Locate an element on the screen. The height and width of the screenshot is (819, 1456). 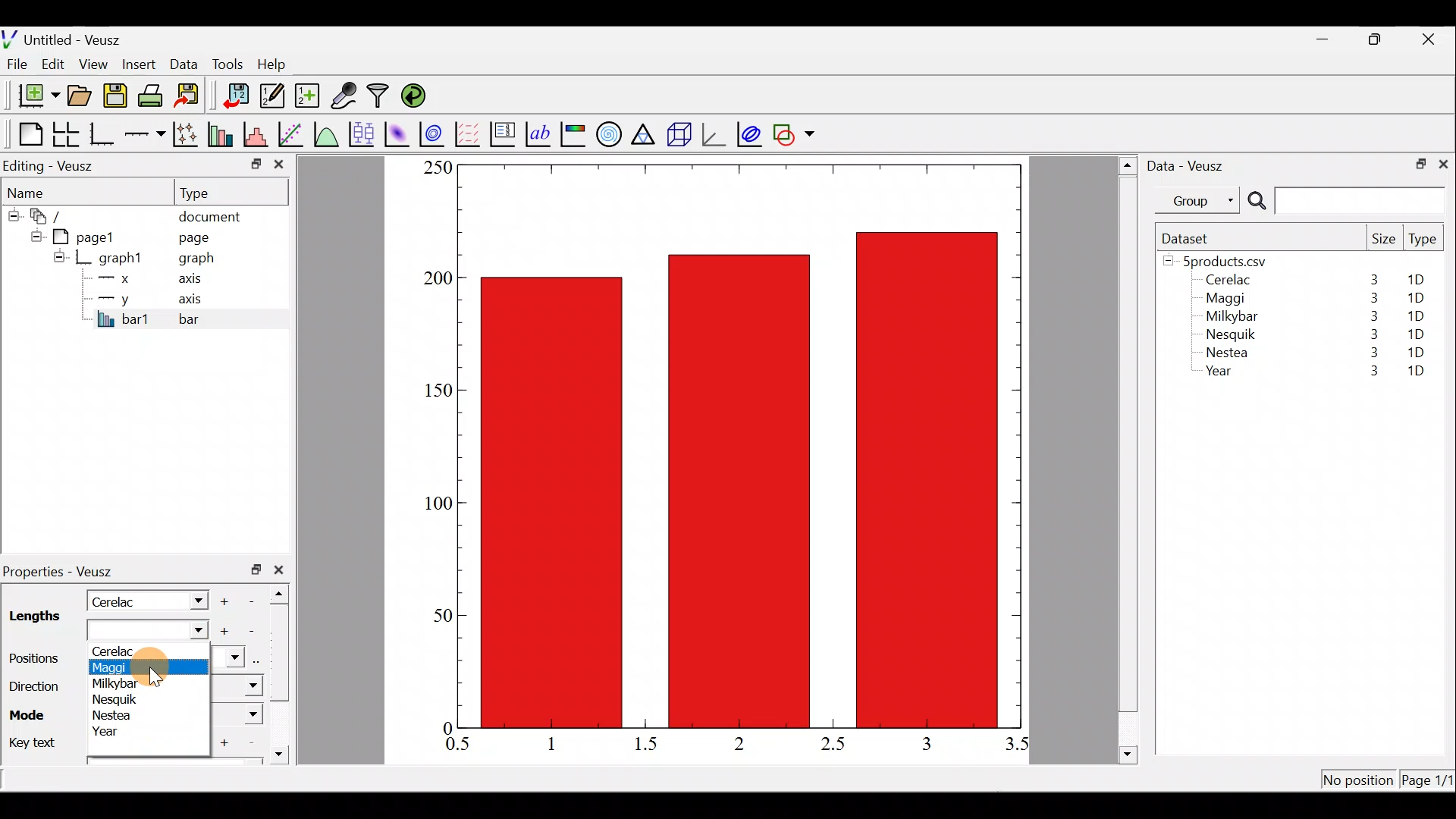
Group is located at coordinates (1200, 199).